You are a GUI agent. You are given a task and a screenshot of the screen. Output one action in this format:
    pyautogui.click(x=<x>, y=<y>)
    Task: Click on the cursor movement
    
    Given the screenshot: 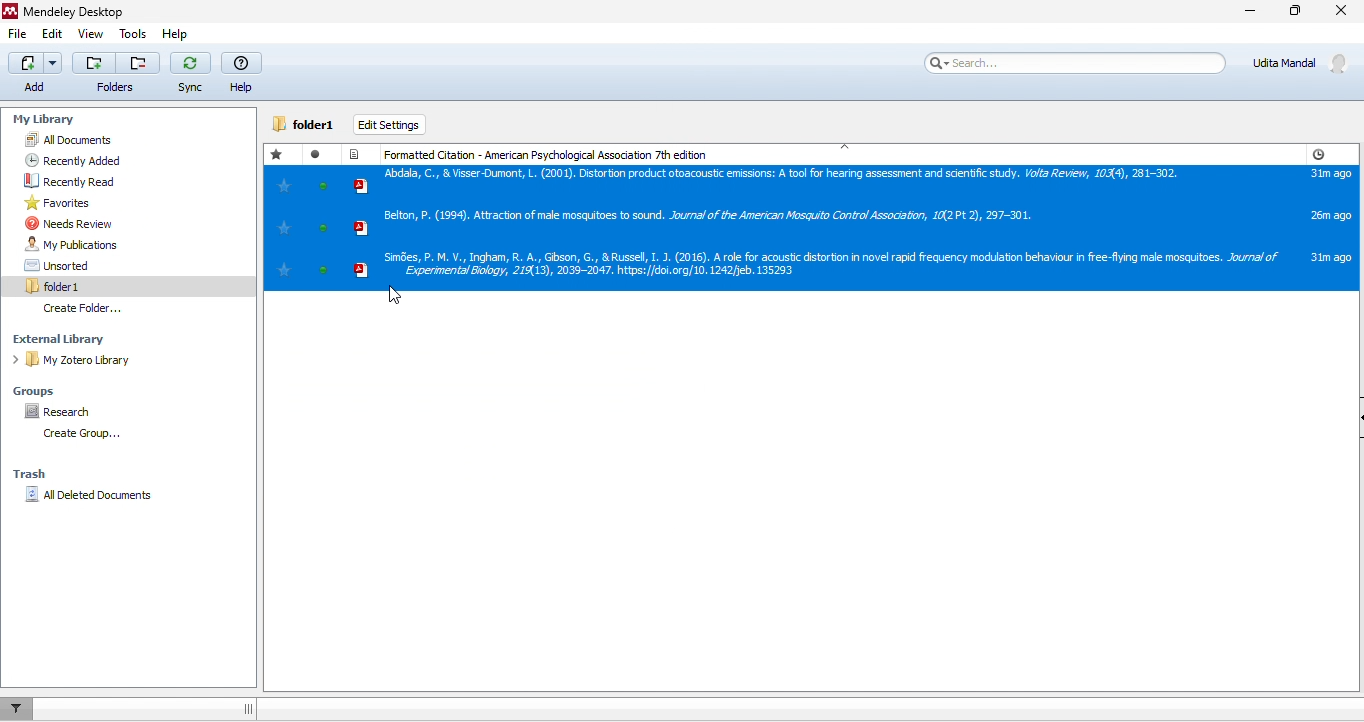 What is the action you would take?
    pyautogui.click(x=395, y=294)
    